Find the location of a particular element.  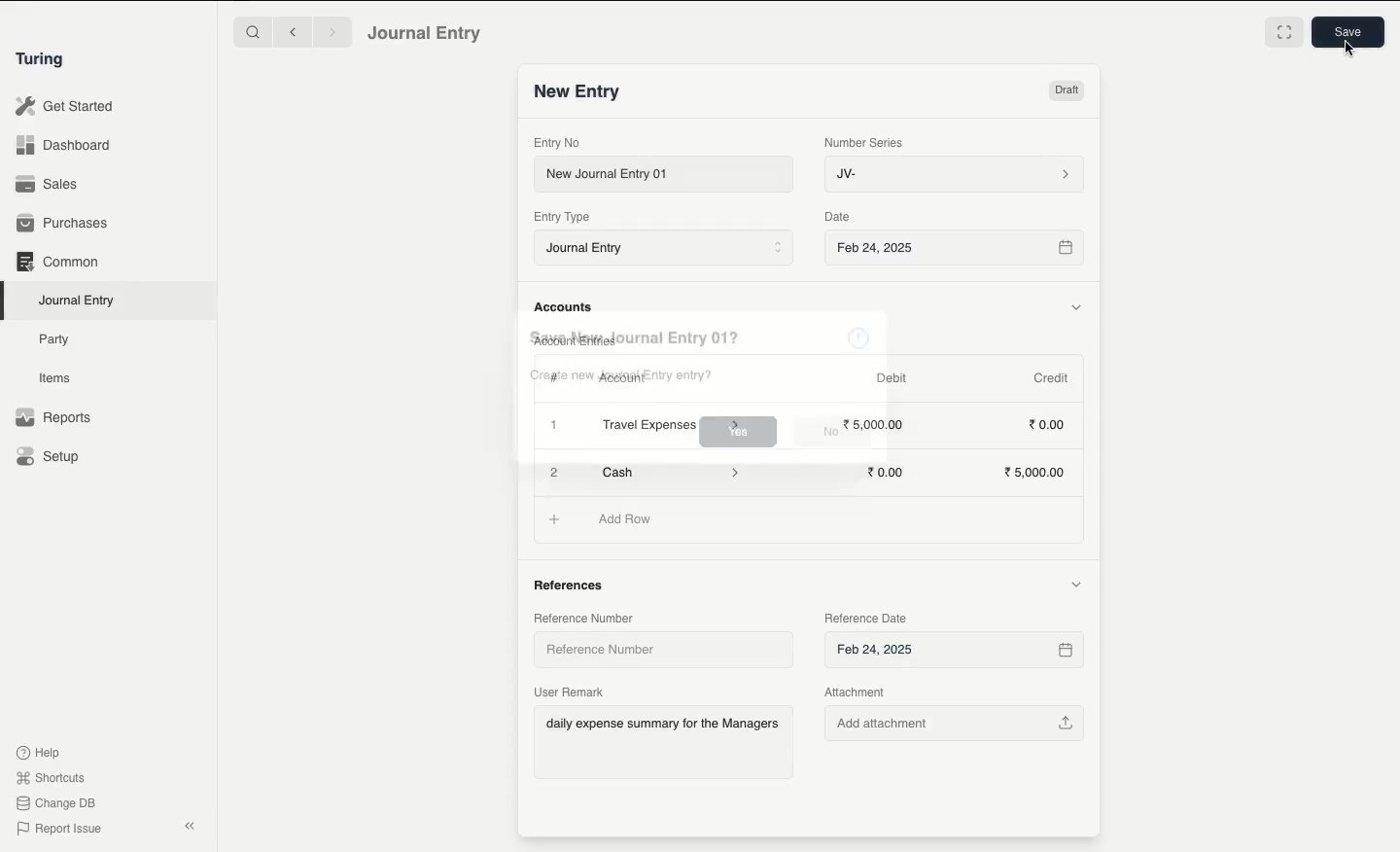

Reference Number is located at coordinates (585, 618).